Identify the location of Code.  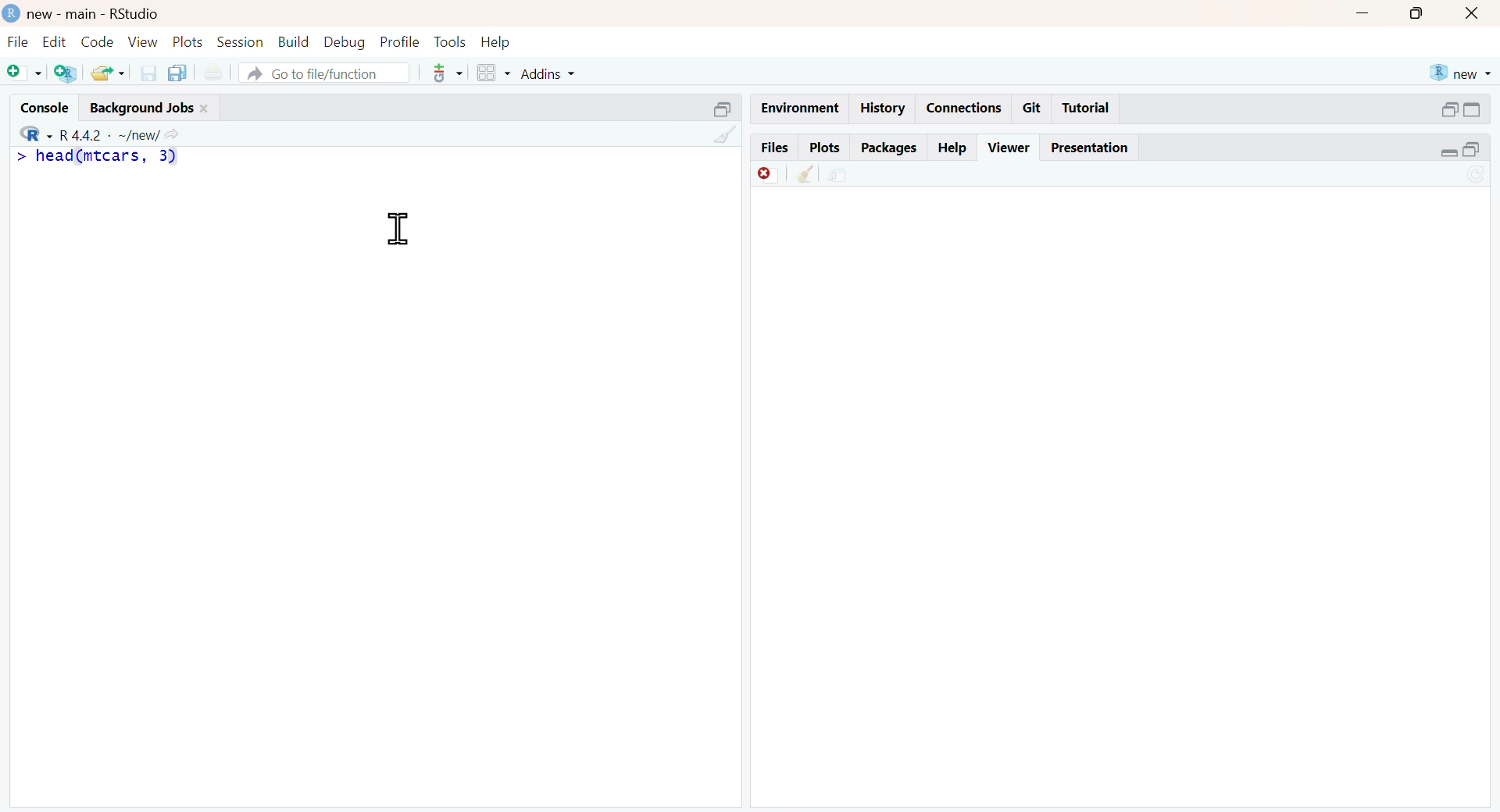
(95, 41).